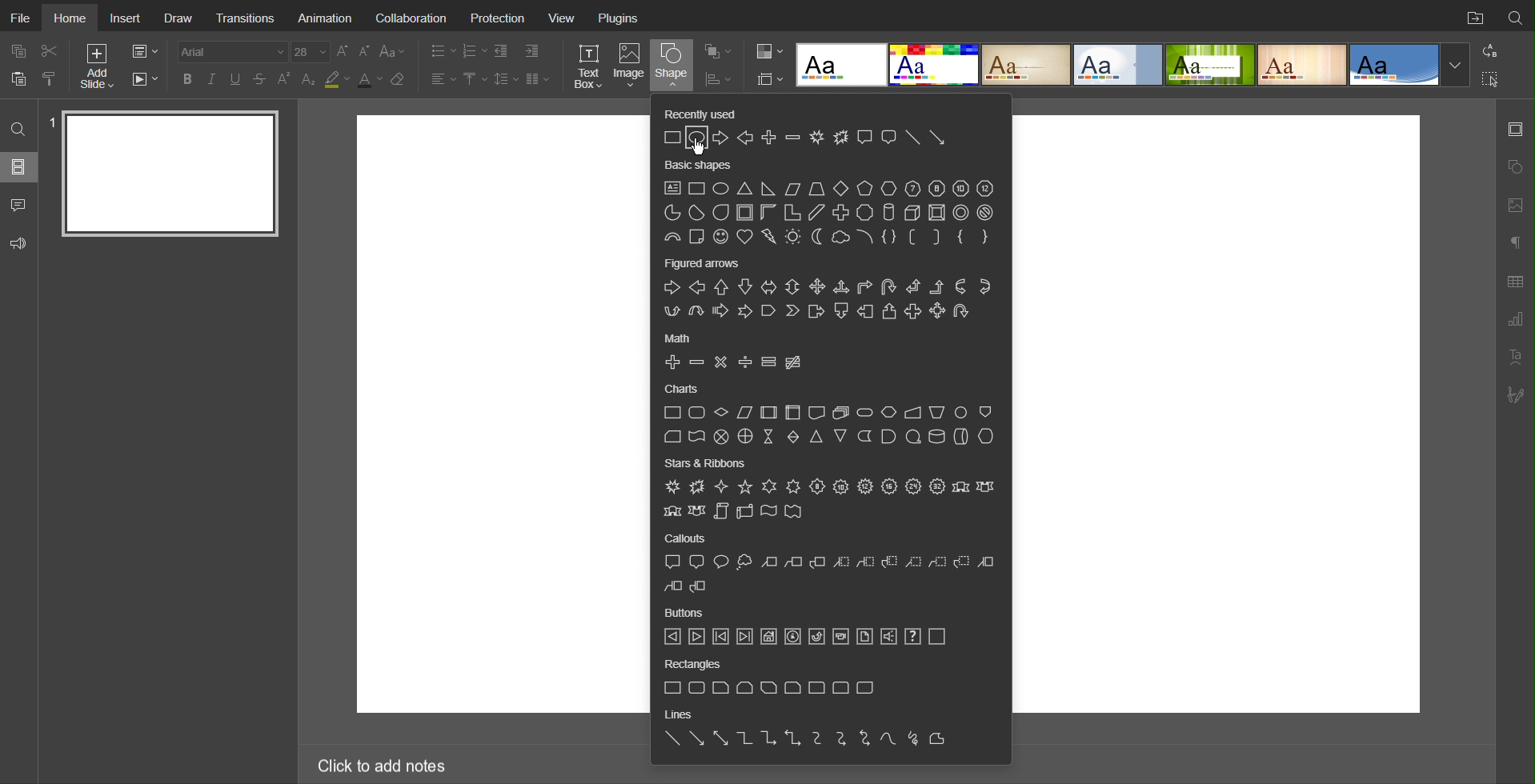 The width and height of the screenshot is (1535, 784). I want to click on Lines, so click(805, 730).